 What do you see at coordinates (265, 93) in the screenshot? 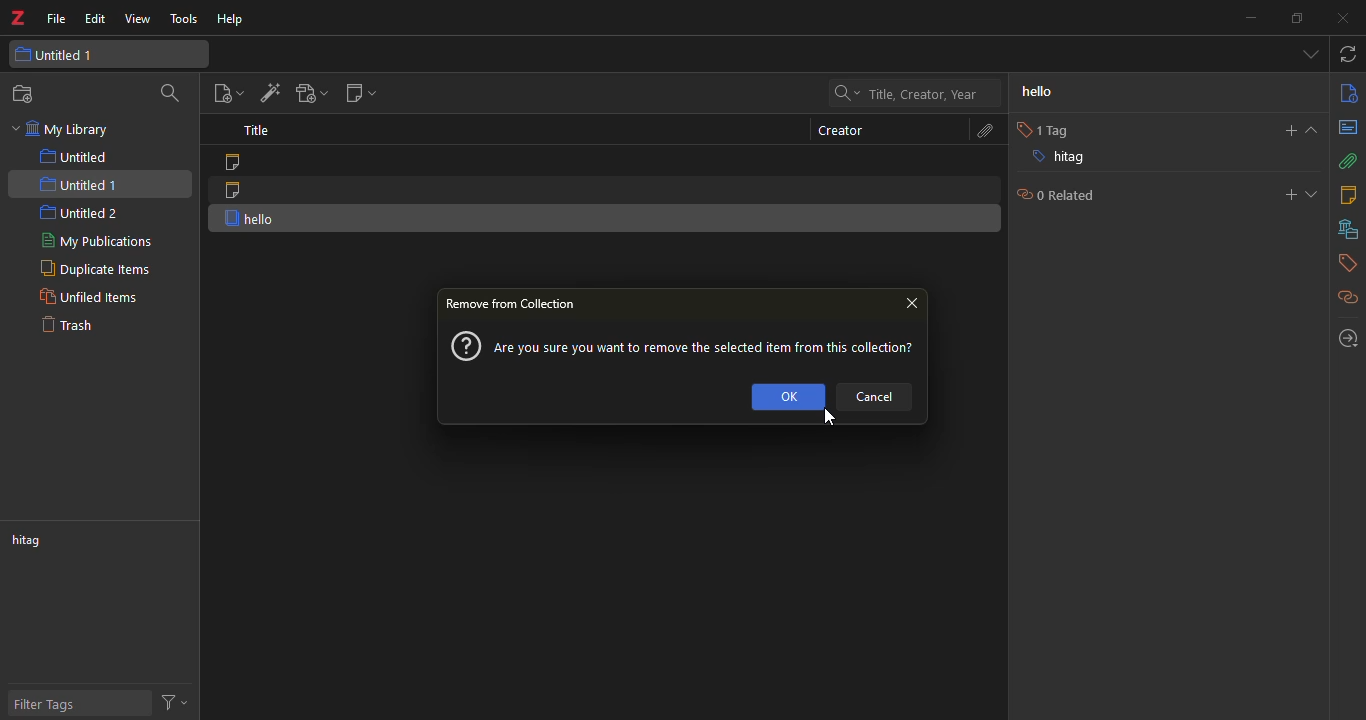
I see `add item` at bounding box center [265, 93].